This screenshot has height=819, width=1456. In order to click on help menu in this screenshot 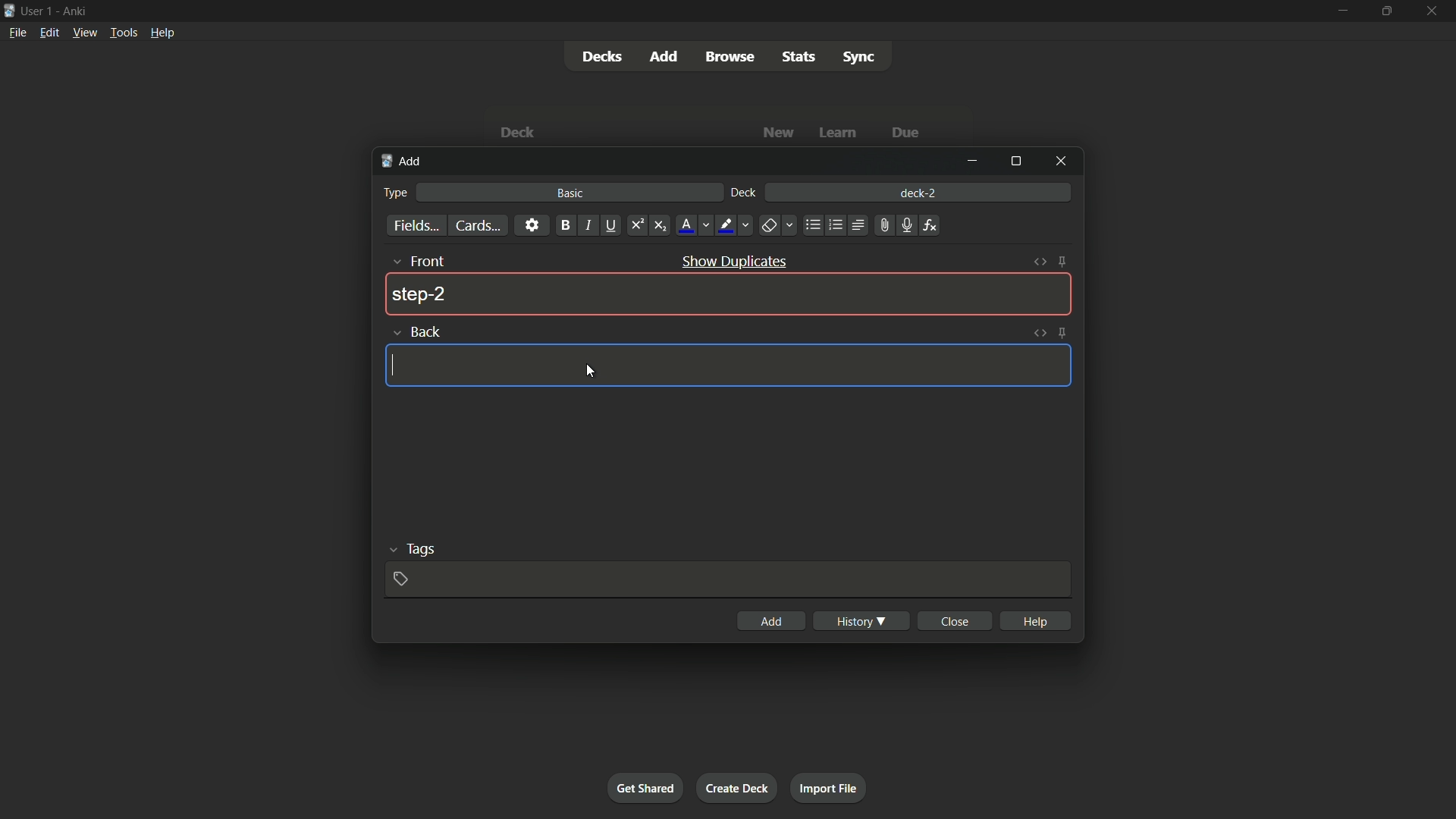, I will do `click(163, 32)`.